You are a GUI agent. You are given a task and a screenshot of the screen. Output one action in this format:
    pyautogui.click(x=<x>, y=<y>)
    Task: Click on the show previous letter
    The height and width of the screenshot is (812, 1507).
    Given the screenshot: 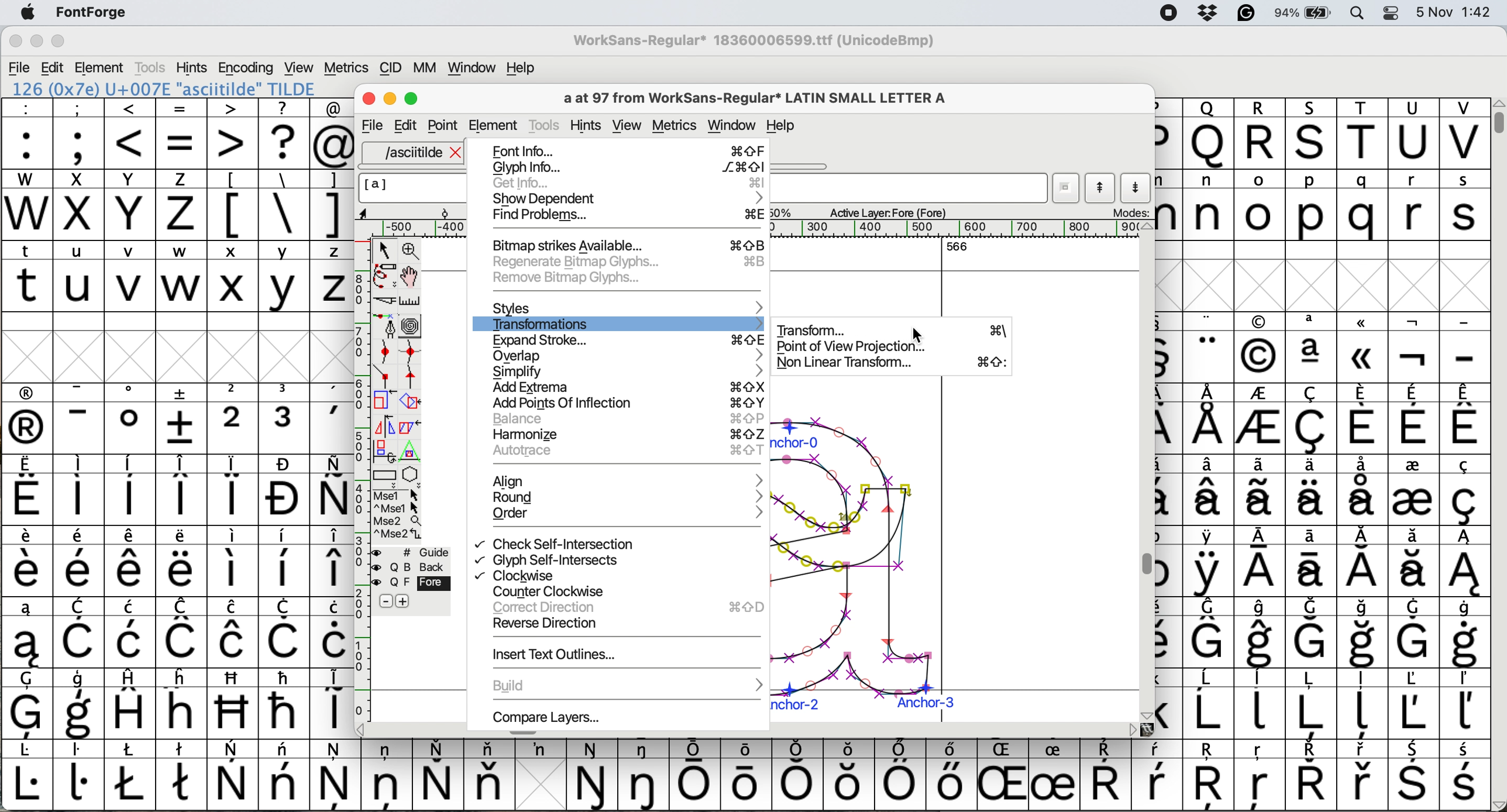 What is the action you would take?
    pyautogui.click(x=1100, y=188)
    